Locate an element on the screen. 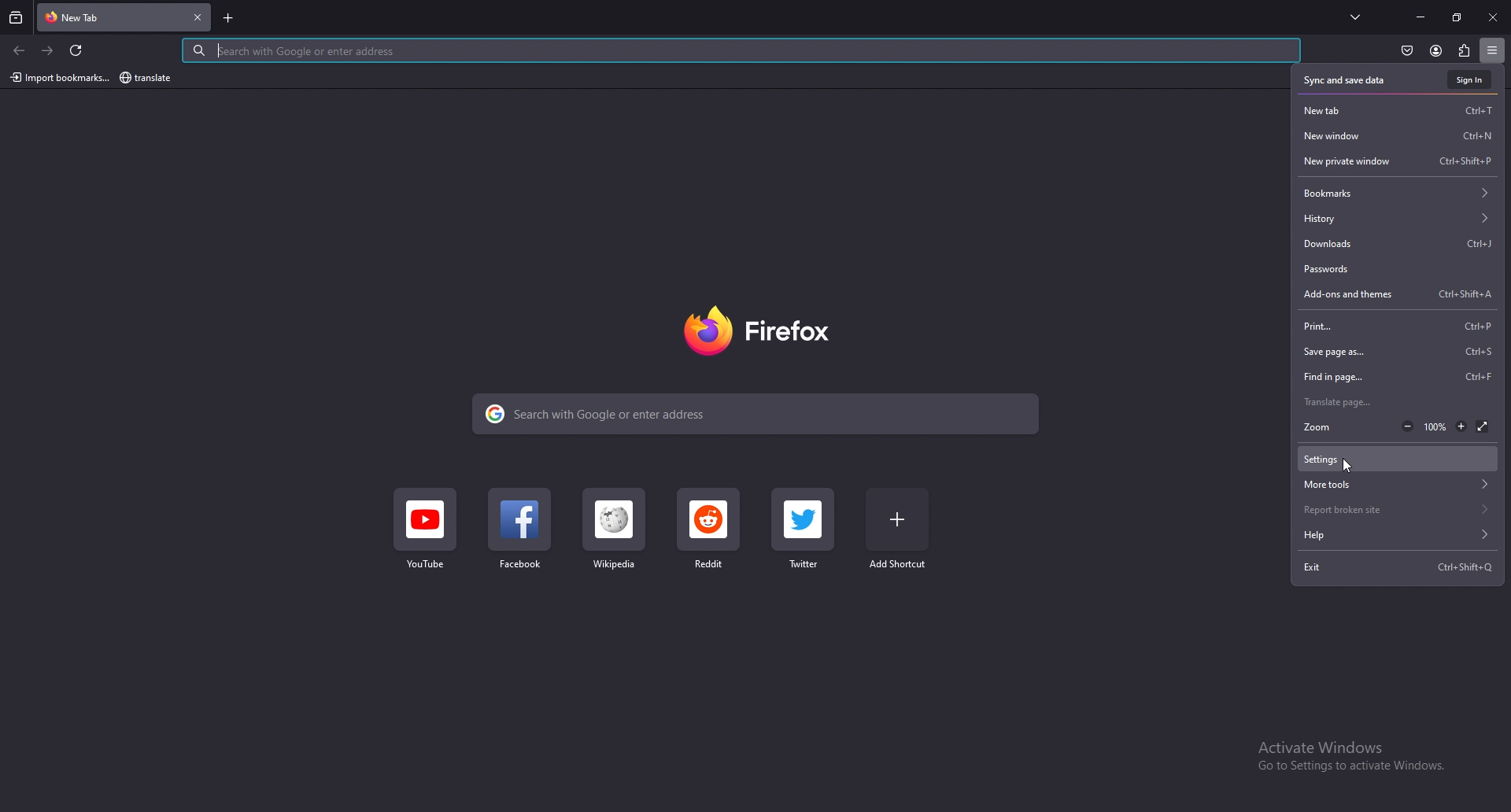 The width and height of the screenshot is (1511, 812). sign in is located at coordinates (1469, 79).